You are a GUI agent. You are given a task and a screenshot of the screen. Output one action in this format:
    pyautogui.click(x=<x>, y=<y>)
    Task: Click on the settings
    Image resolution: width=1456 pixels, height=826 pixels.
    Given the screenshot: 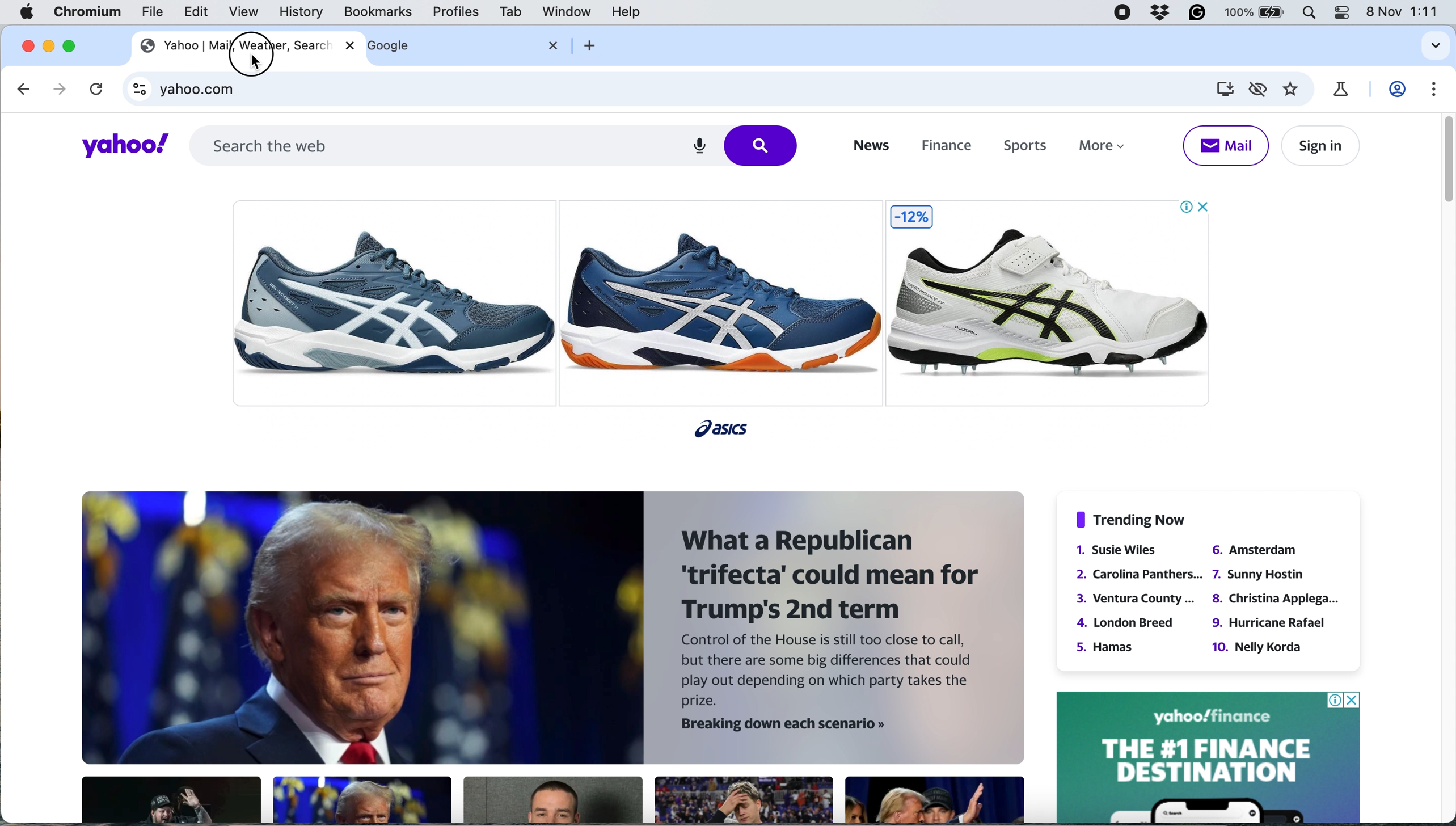 What is the action you would take?
    pyautogui.click(x=1434, y=89)
    